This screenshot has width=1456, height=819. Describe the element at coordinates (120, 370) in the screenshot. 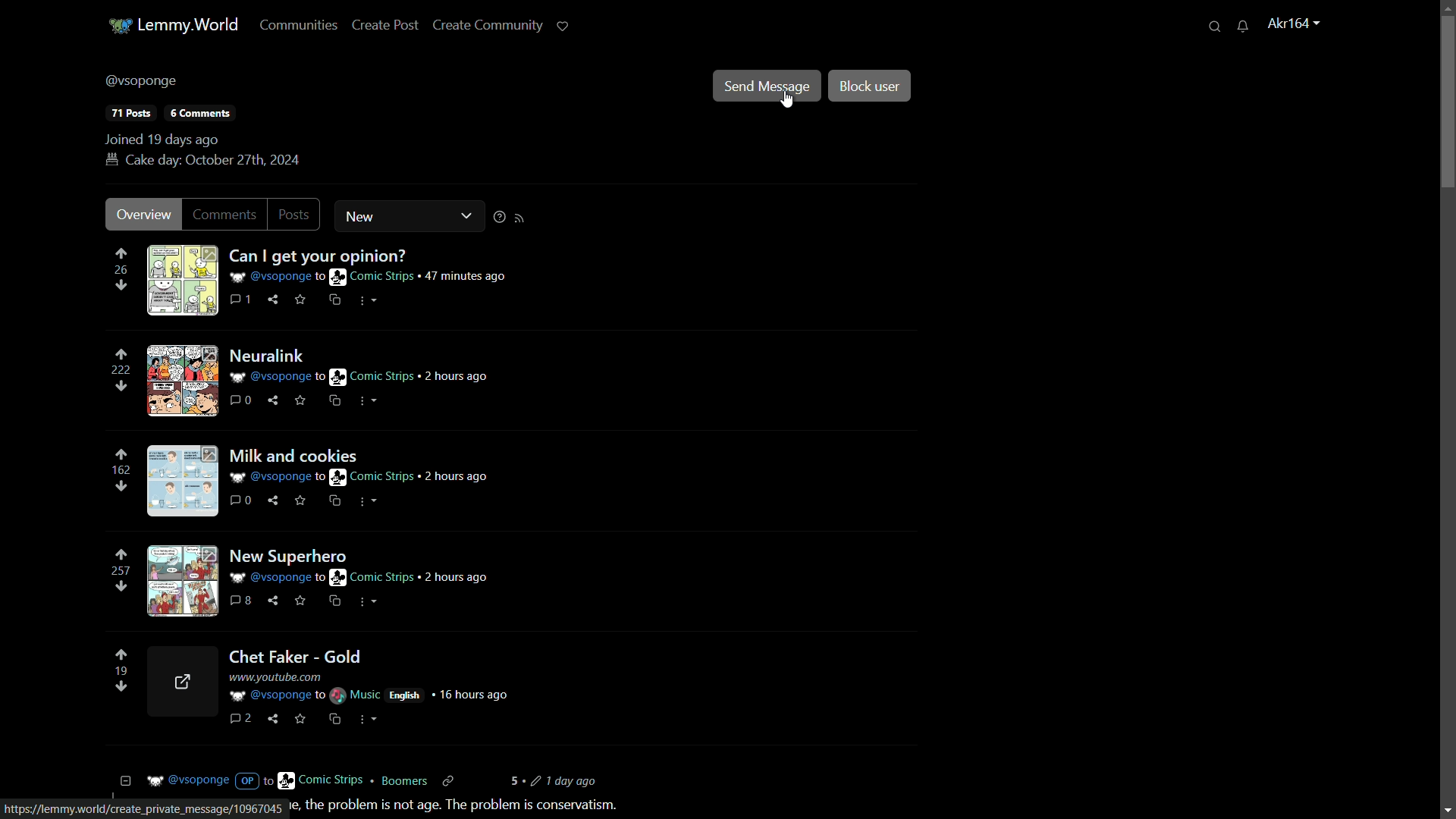

I see `number of votes` at that location.